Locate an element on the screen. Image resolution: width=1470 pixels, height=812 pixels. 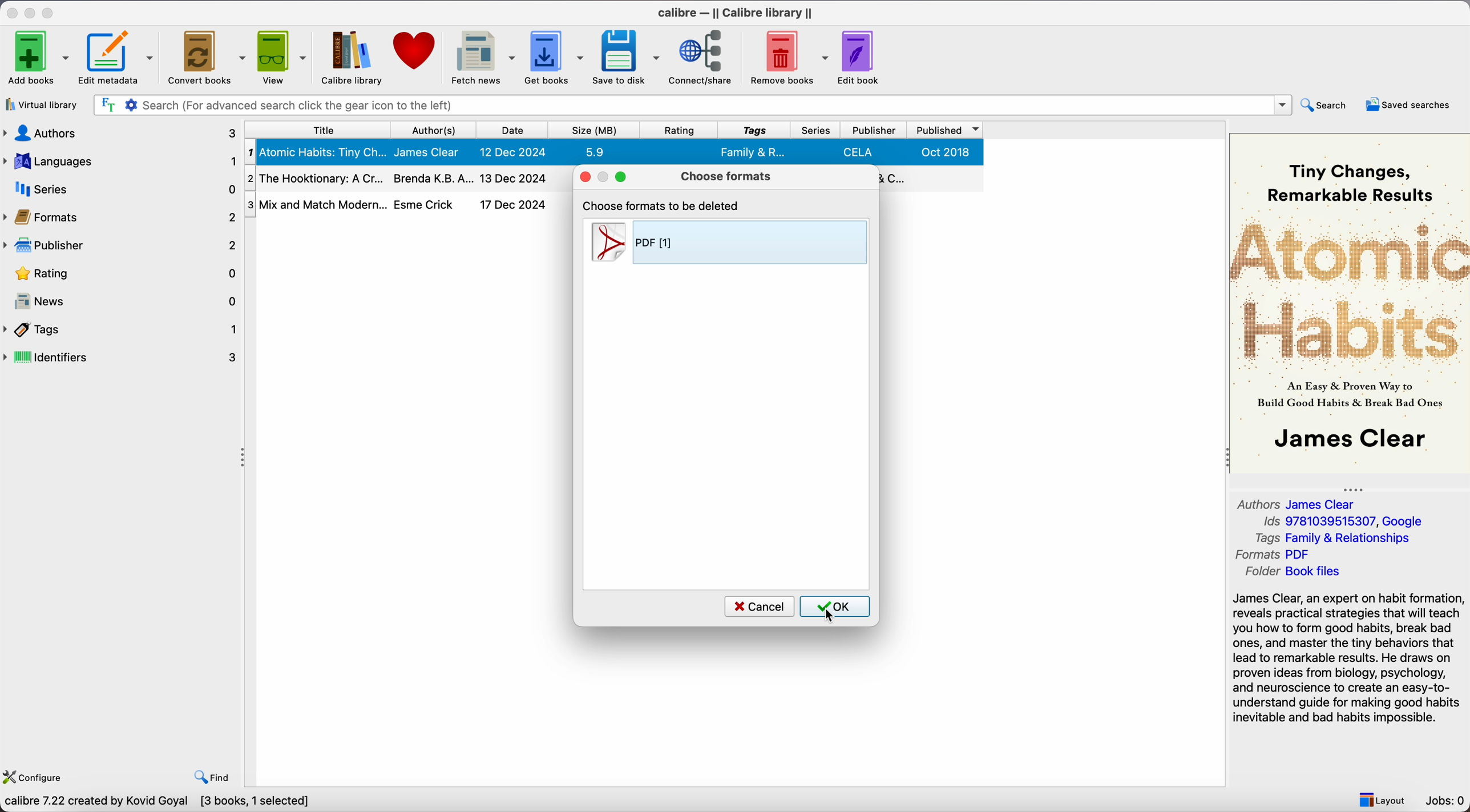
Calibre 7.22 created by Kovid Goyal [3 books, 1 selected] is located at coordinates (158, 805).